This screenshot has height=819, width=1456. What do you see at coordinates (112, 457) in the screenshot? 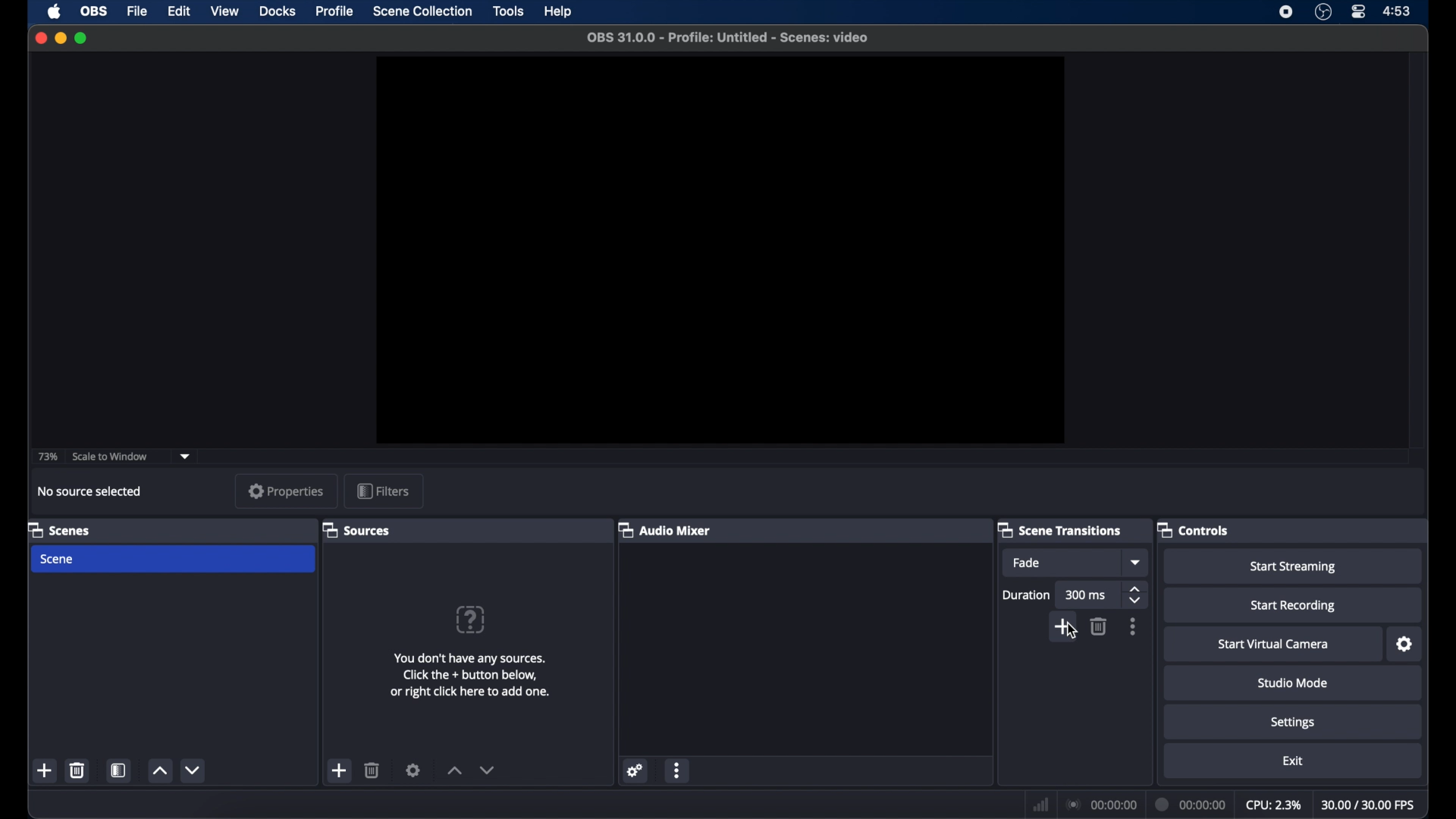
I see `scale to window` at bounding box center [112, 457].